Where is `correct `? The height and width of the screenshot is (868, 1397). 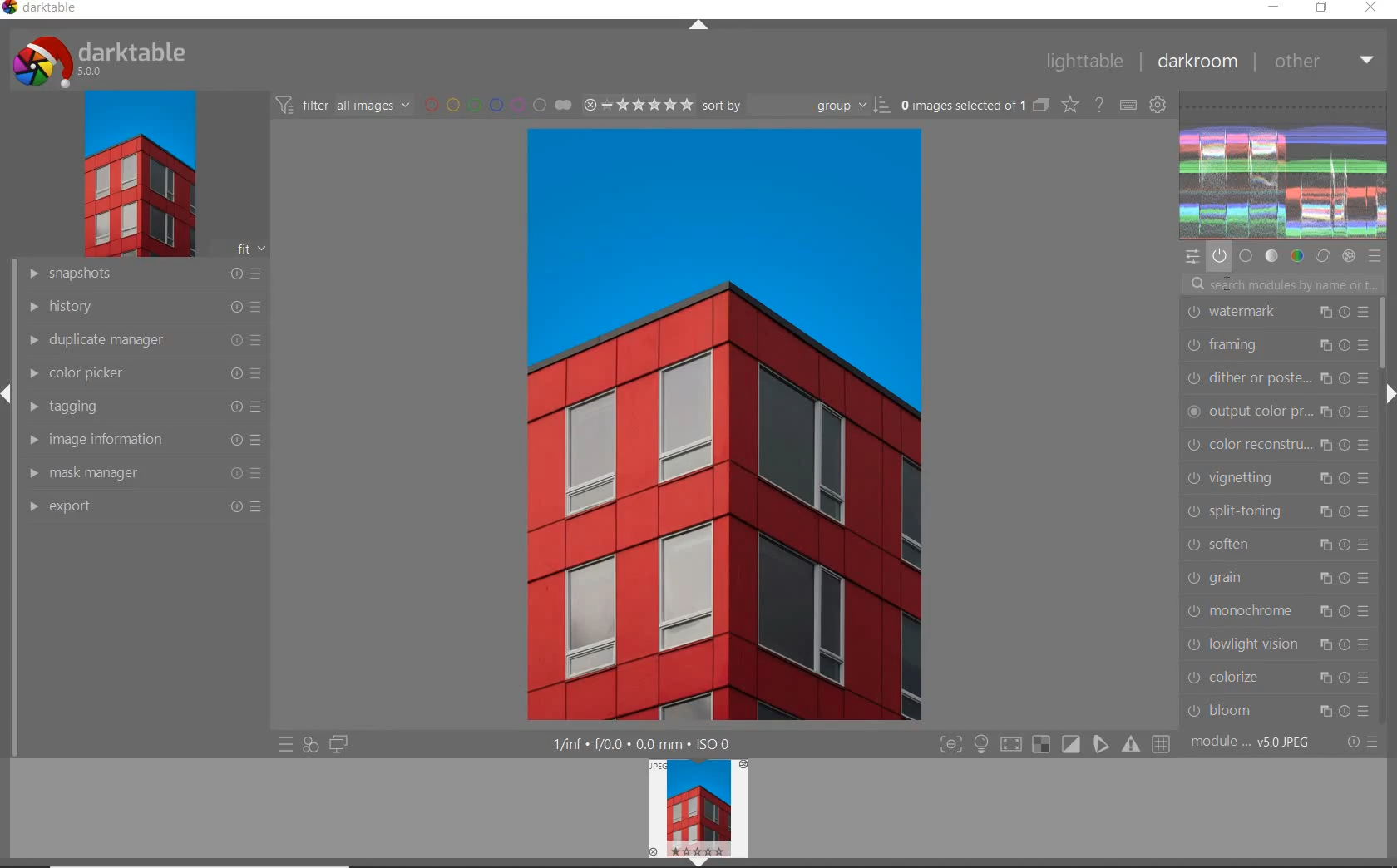
correct  is located at coordinates (1322, 257).